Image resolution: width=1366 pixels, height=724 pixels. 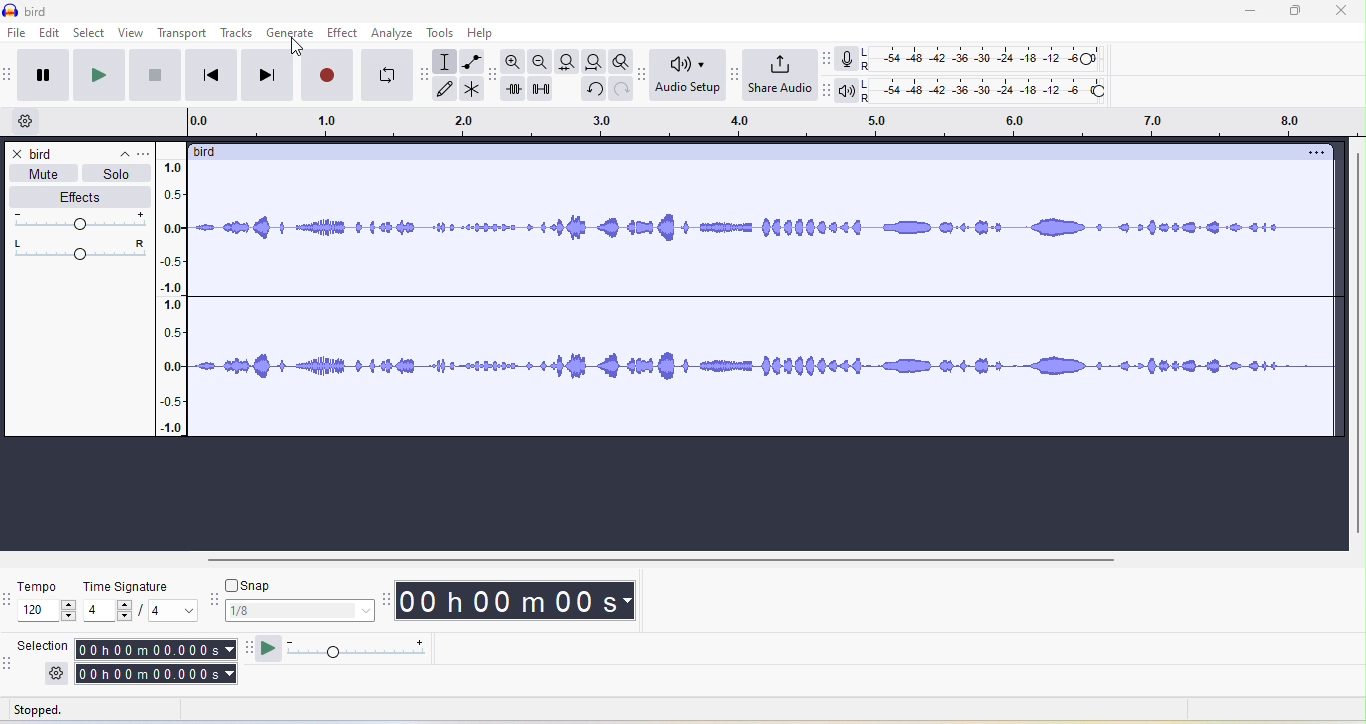 What do you see at coordinates (991, 59) in the screenshot?
I see `recording level` at bounding box center [991, 59].